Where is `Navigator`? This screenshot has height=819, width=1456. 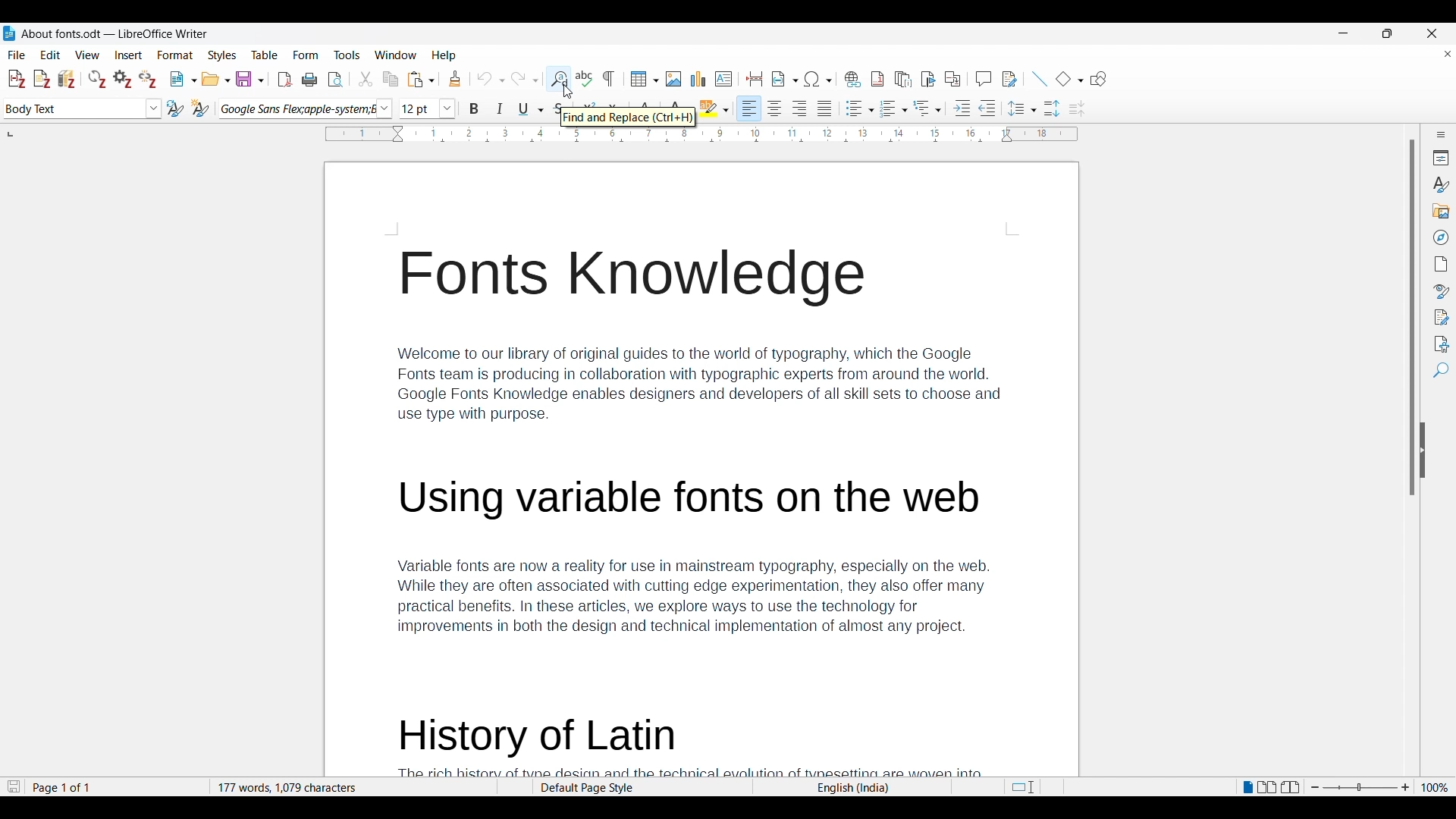 Navigator is located at coordinates (1440, 237).